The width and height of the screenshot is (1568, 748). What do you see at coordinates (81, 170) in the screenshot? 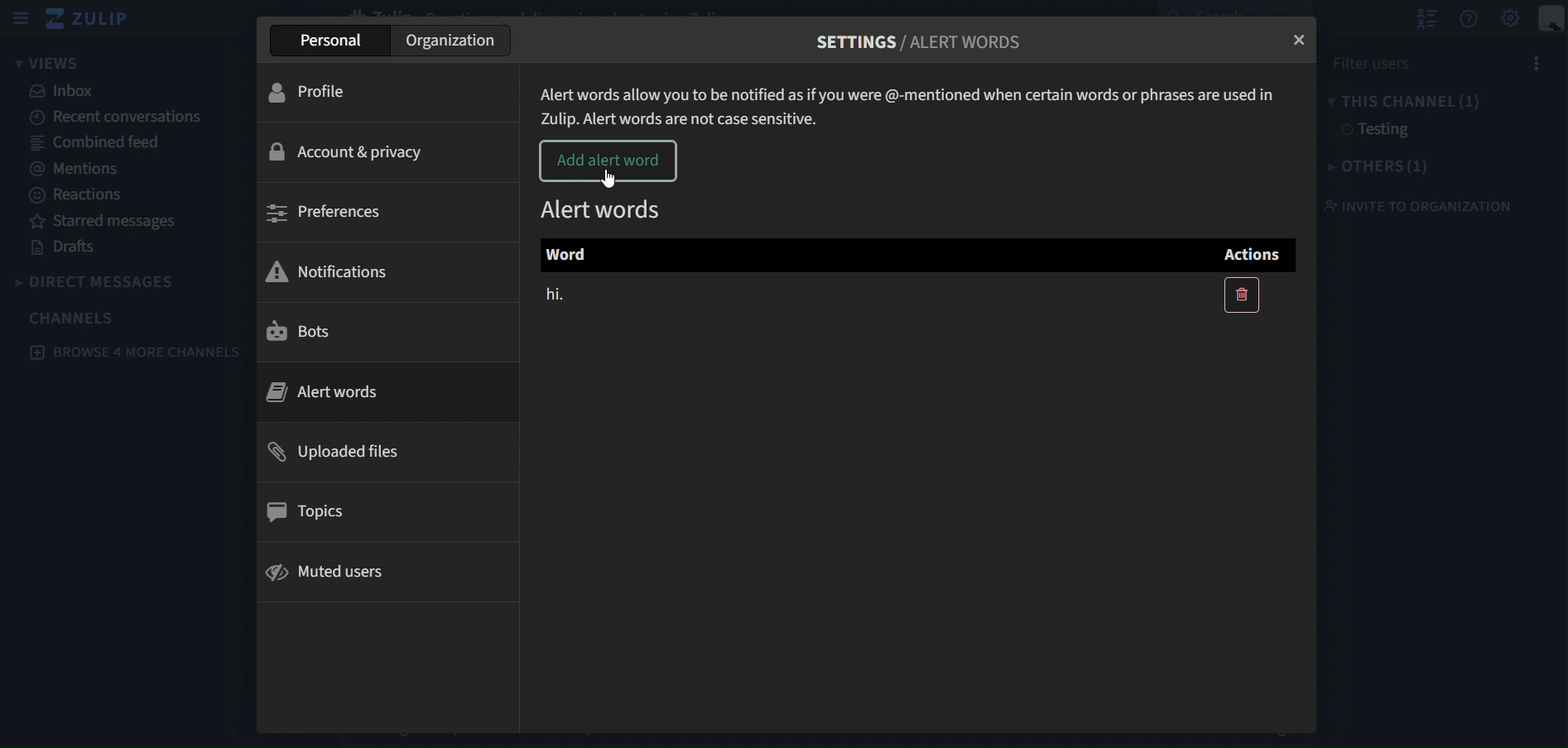
I see `mentions` at bounding box center [81, 170].